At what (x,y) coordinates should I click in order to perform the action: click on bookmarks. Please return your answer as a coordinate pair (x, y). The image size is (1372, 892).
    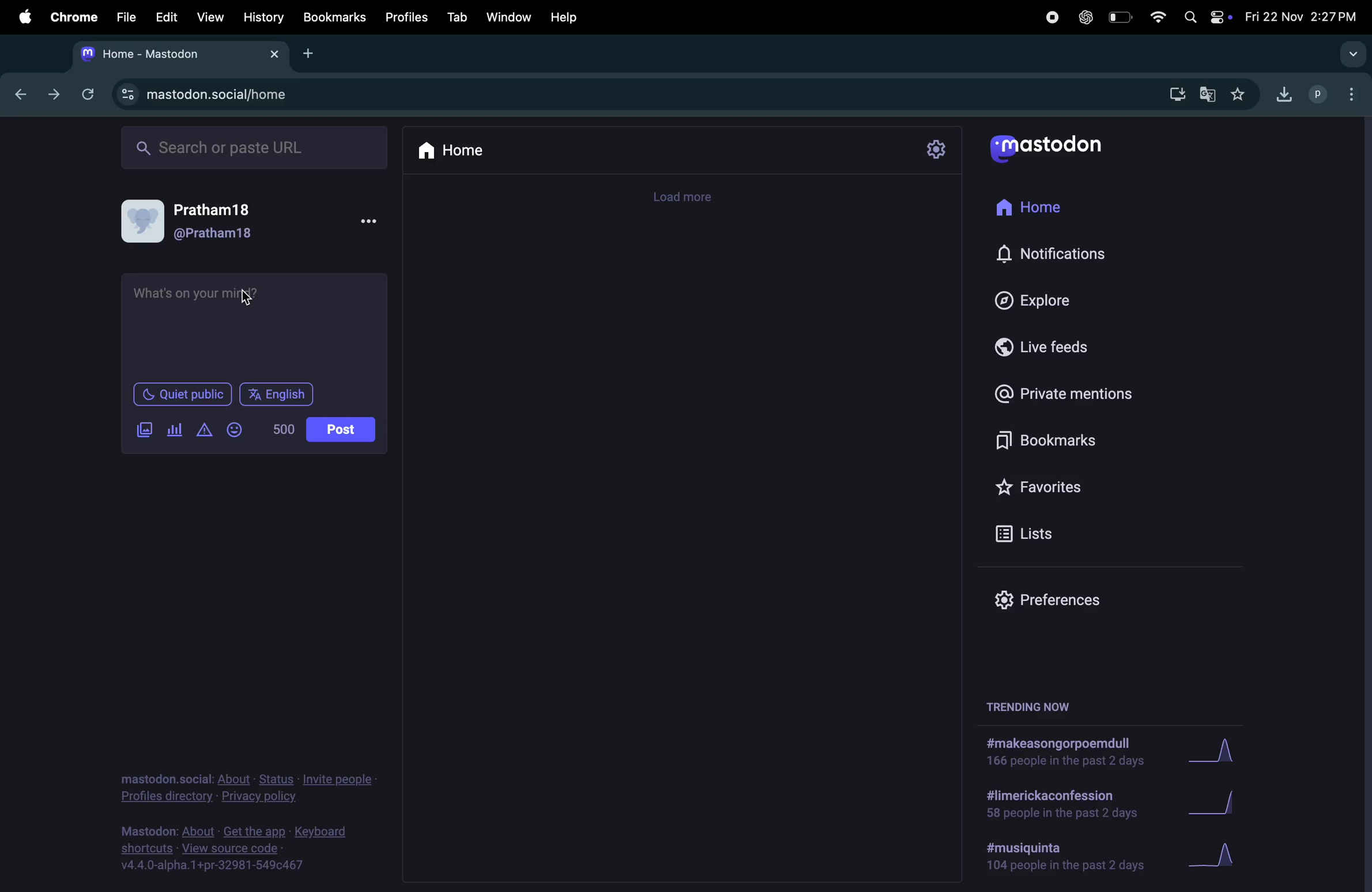
    Looking at the image, I should click on (1083, 437).